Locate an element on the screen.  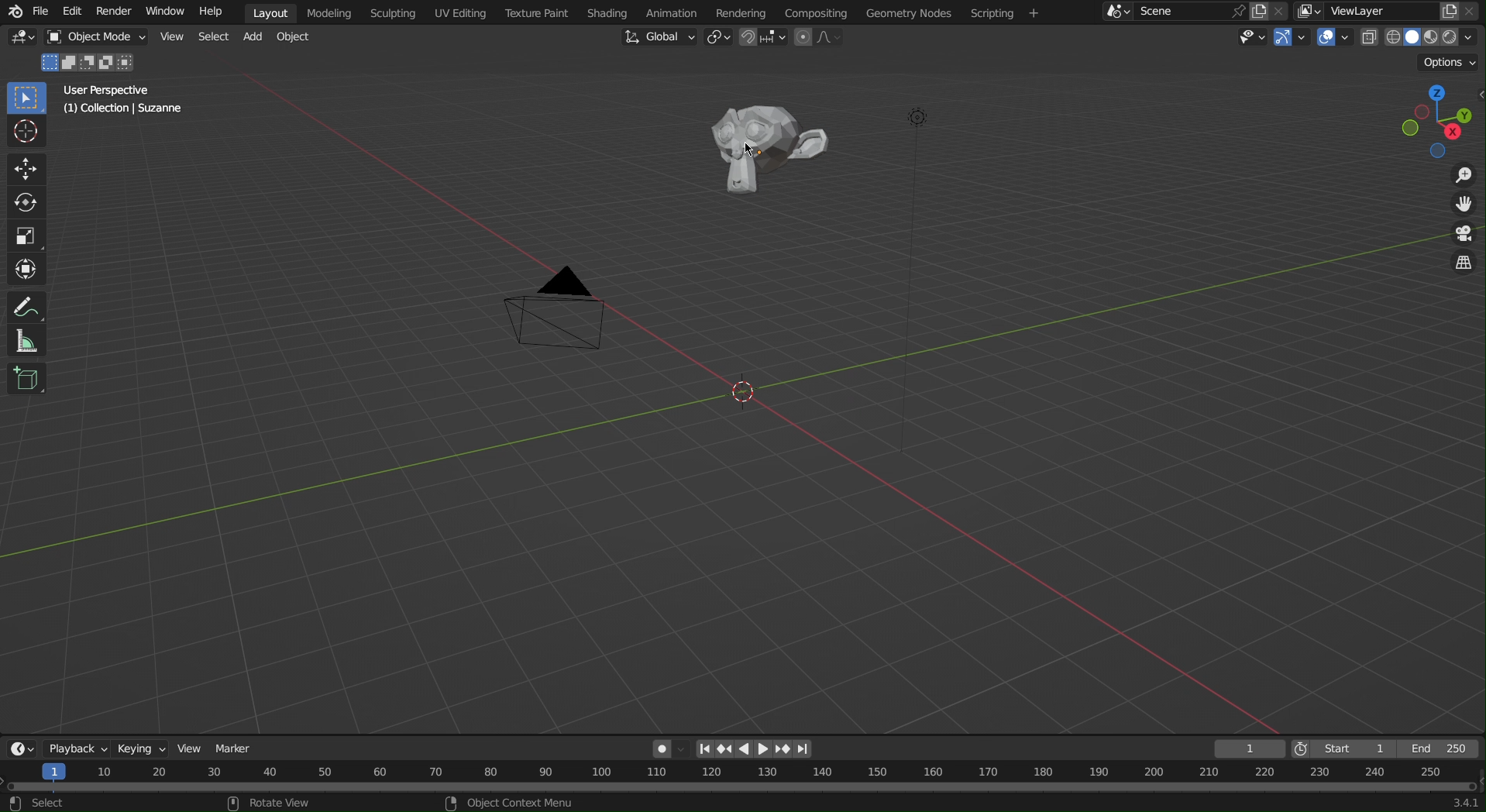
Rotate is located at coordinates (26, 201).